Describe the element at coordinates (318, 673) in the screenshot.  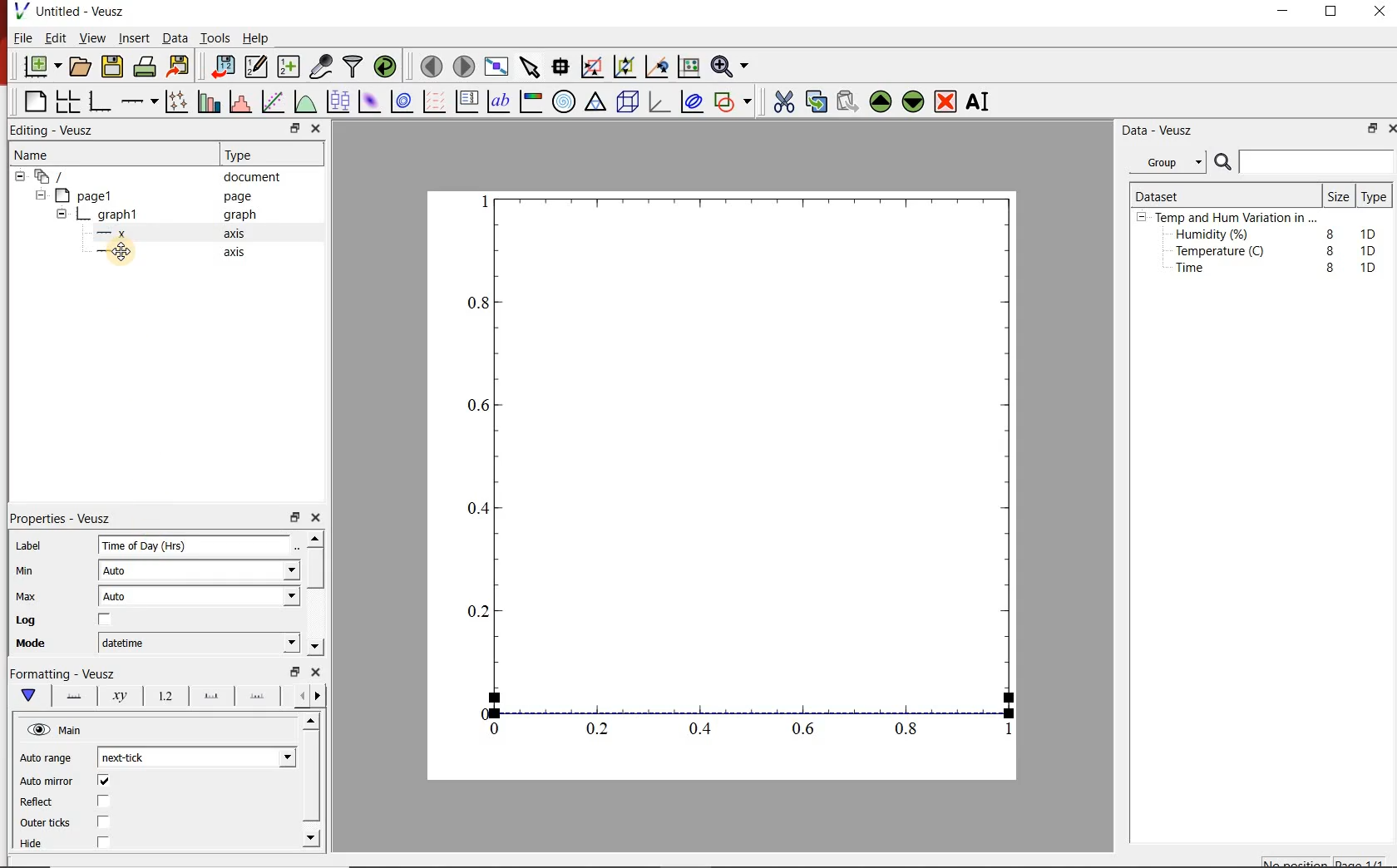
I see `close` at that location.